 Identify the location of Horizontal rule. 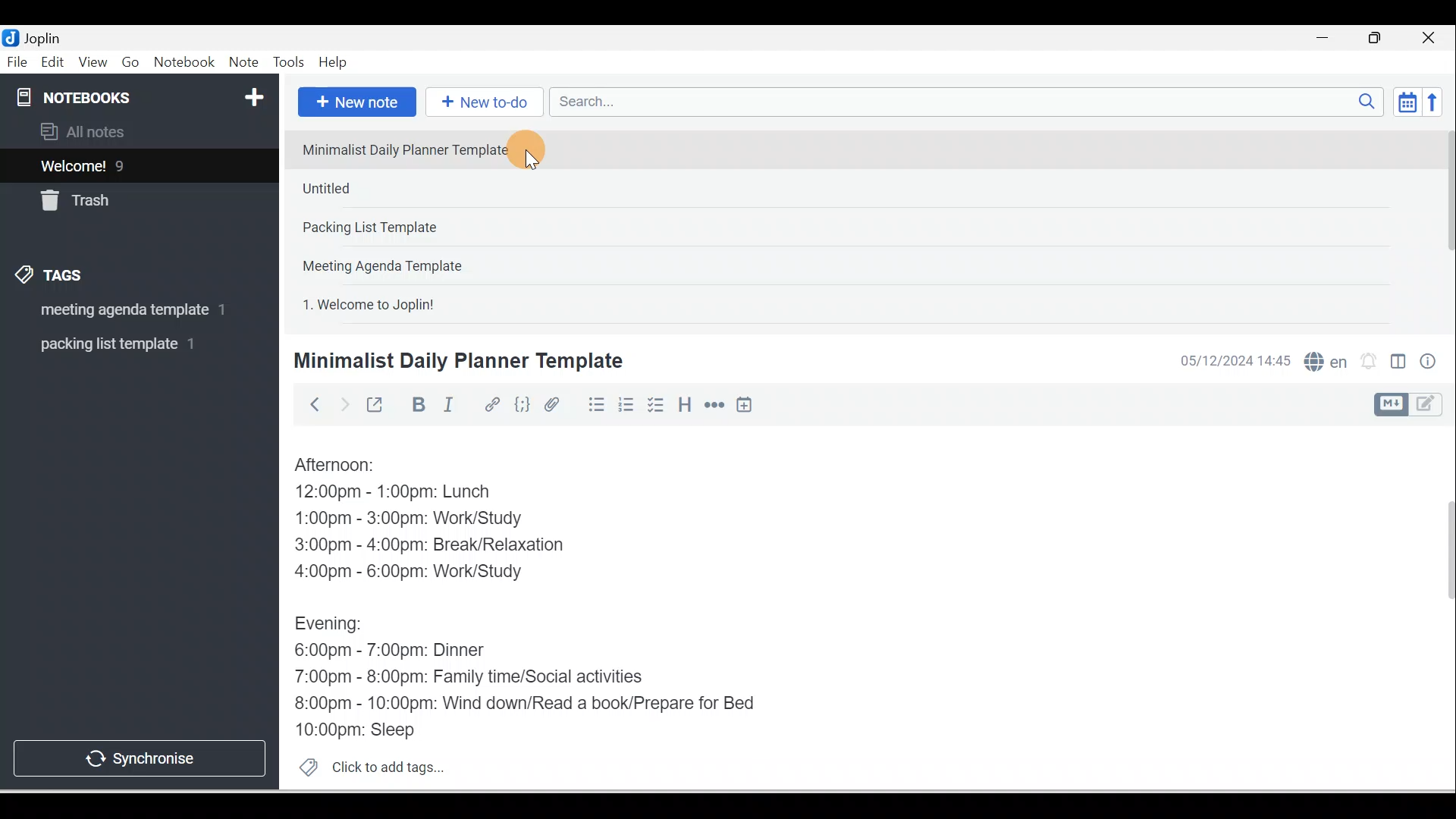
(716, 405).